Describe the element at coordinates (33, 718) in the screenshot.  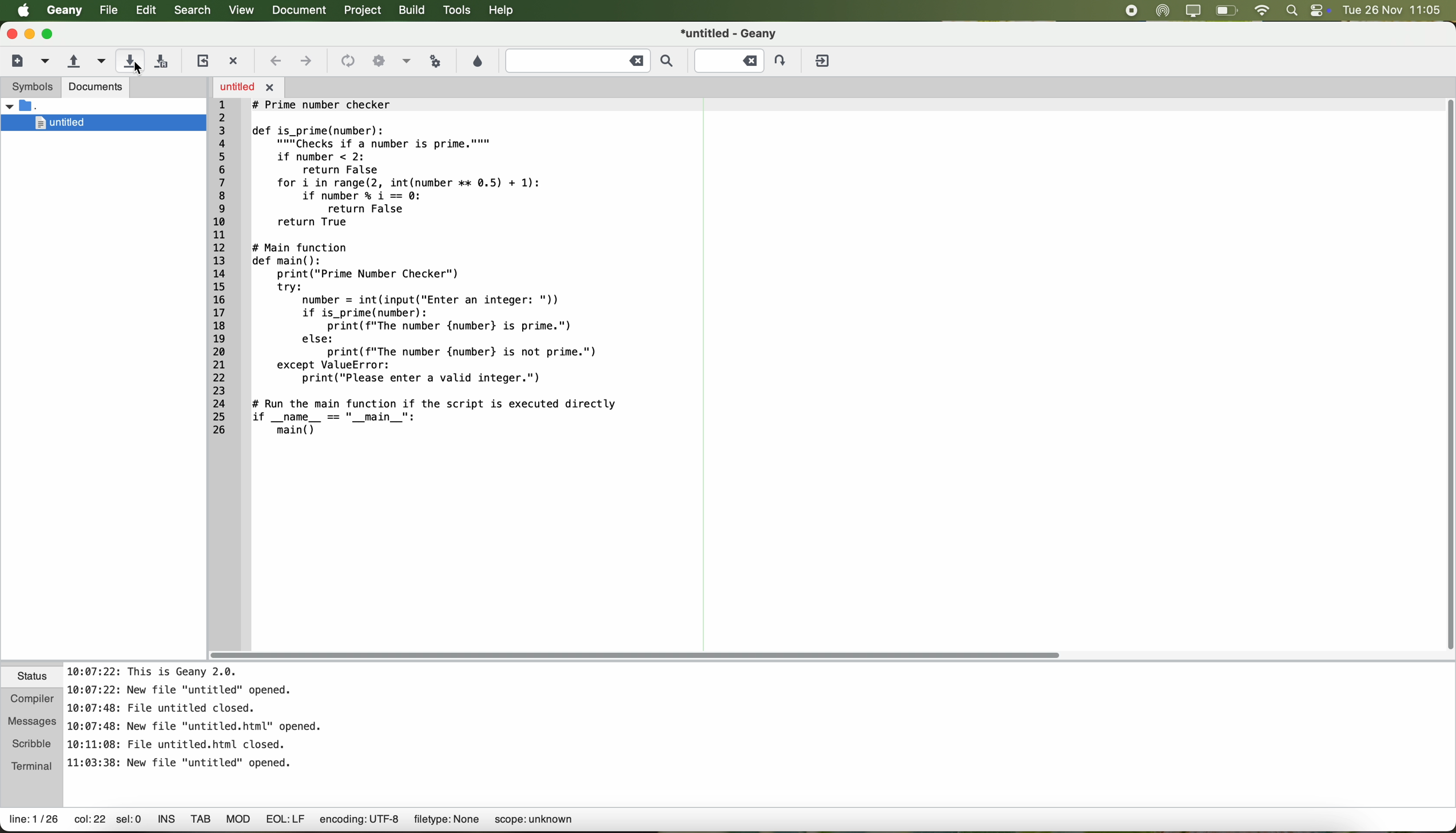
I see `messages` at that location.